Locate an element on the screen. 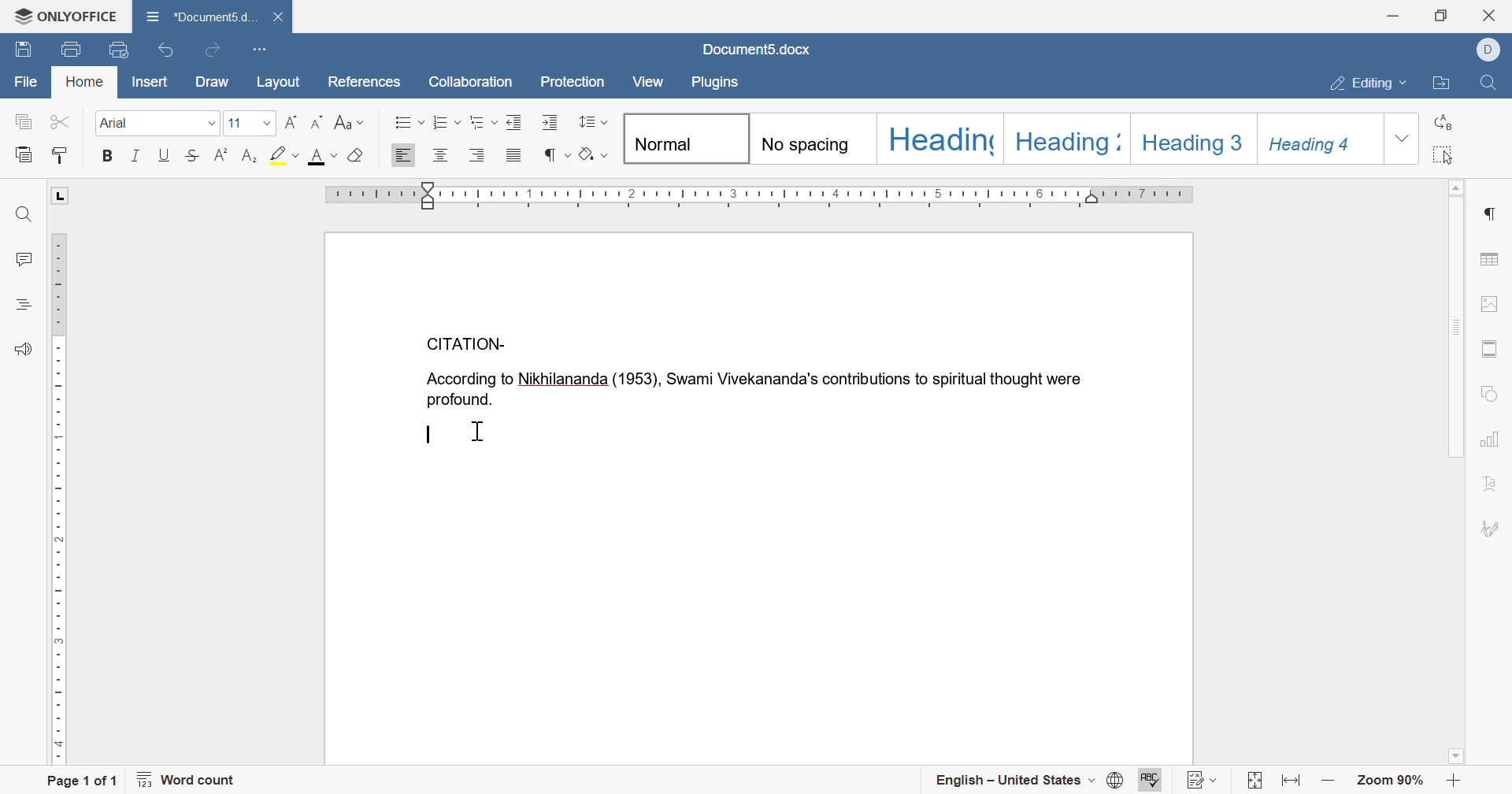 The image size is (1512, 794). copy style is located at coordinates (56, 157).